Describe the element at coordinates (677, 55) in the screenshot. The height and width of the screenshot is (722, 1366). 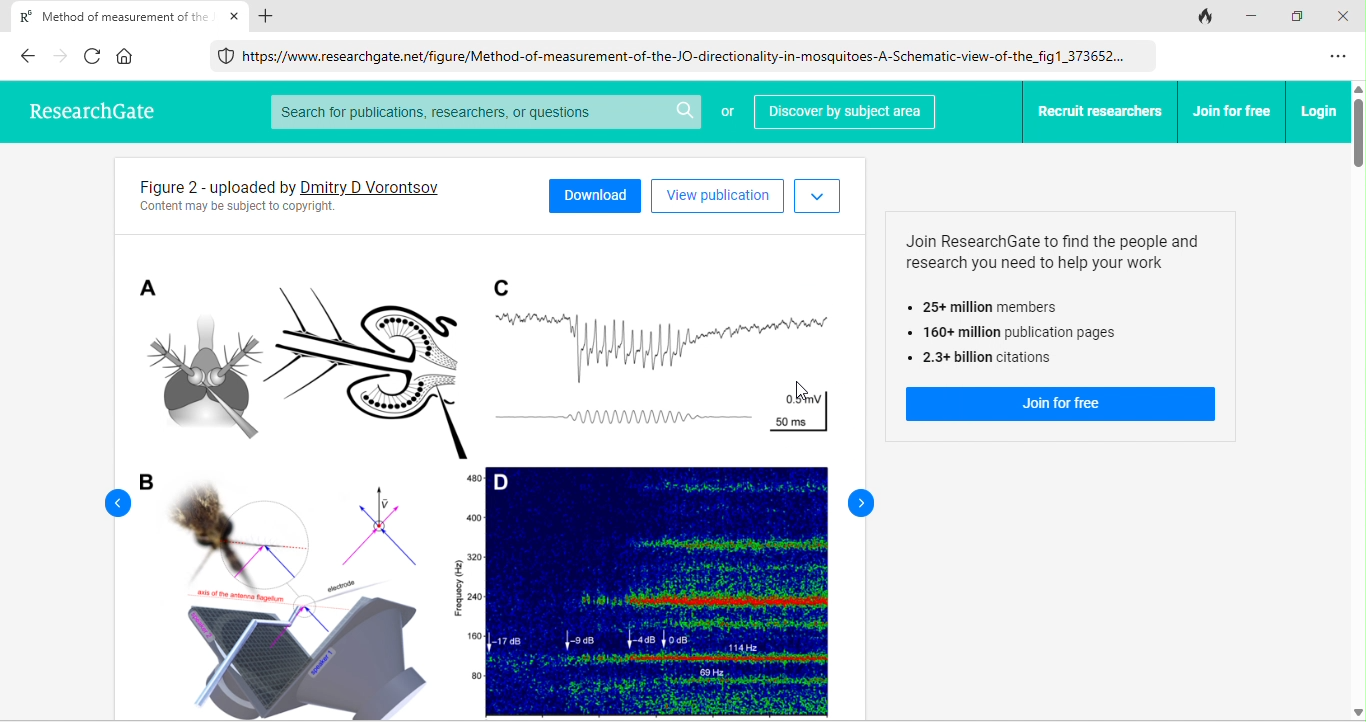
I see `https web link` at that location.